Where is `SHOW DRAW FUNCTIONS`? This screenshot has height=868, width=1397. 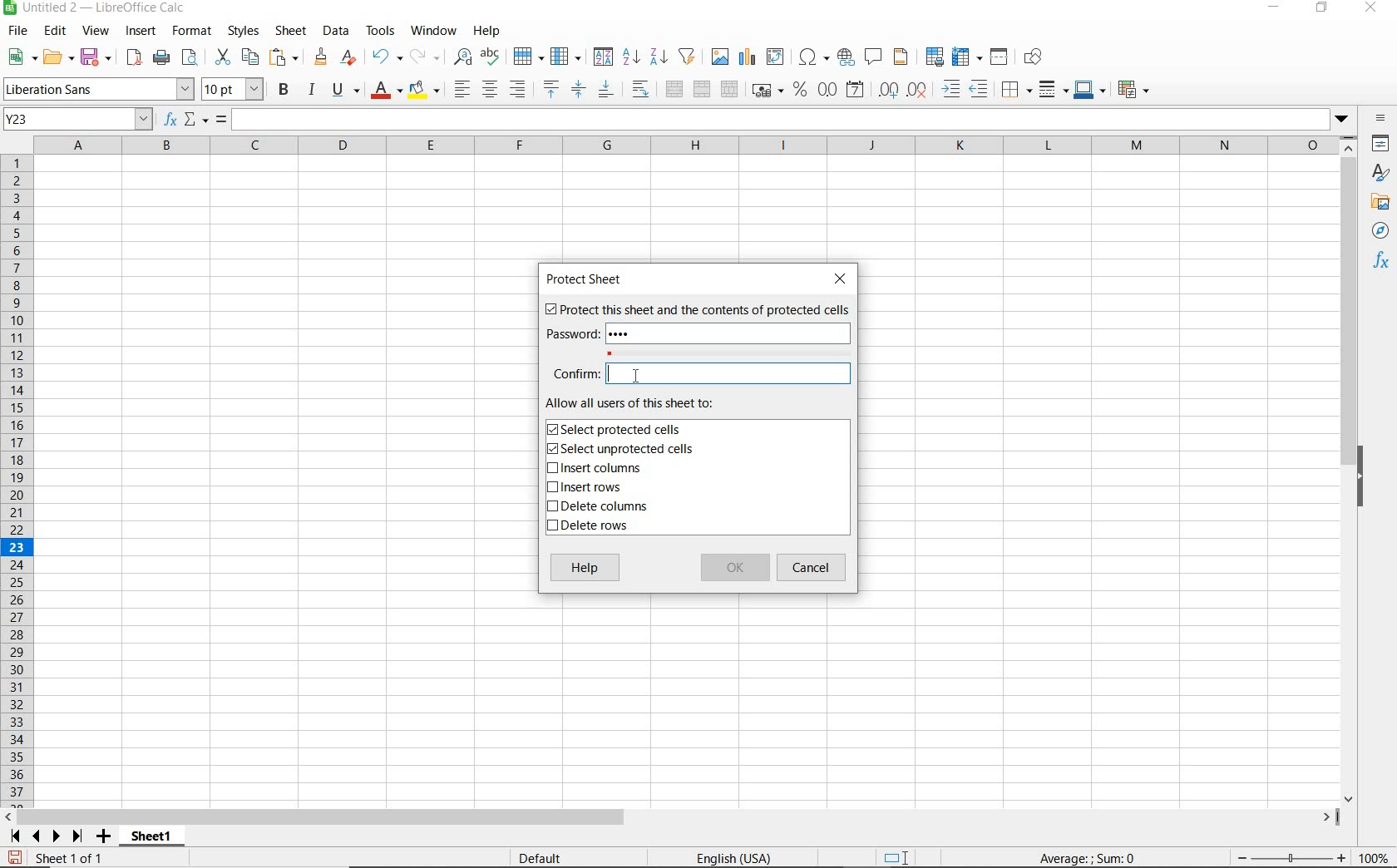 SHOW DRAW FUNCTIONS is located at coordinates (1034, 57).